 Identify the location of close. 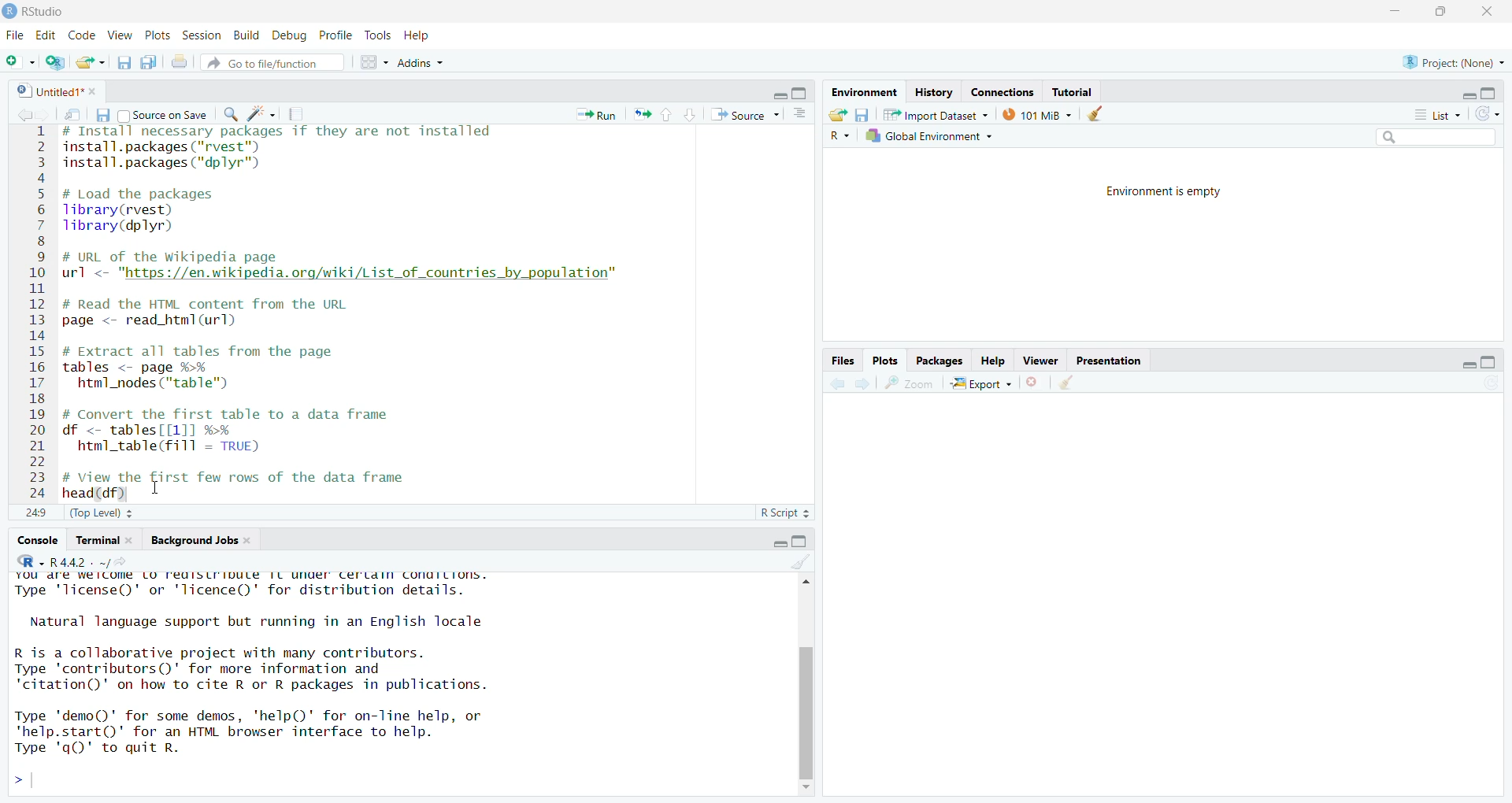
(250, 540).